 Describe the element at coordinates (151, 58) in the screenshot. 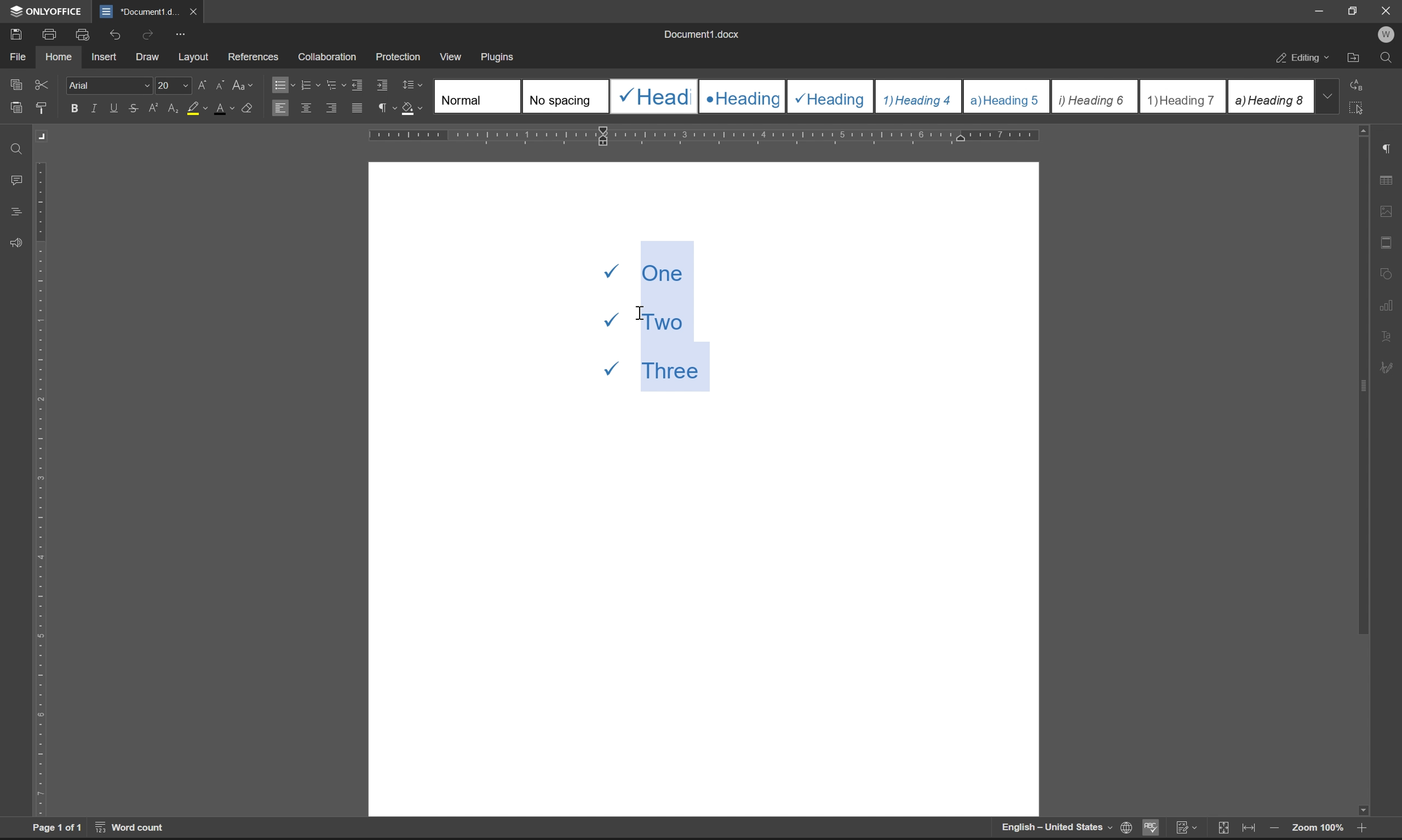

I see `draw` at that location.